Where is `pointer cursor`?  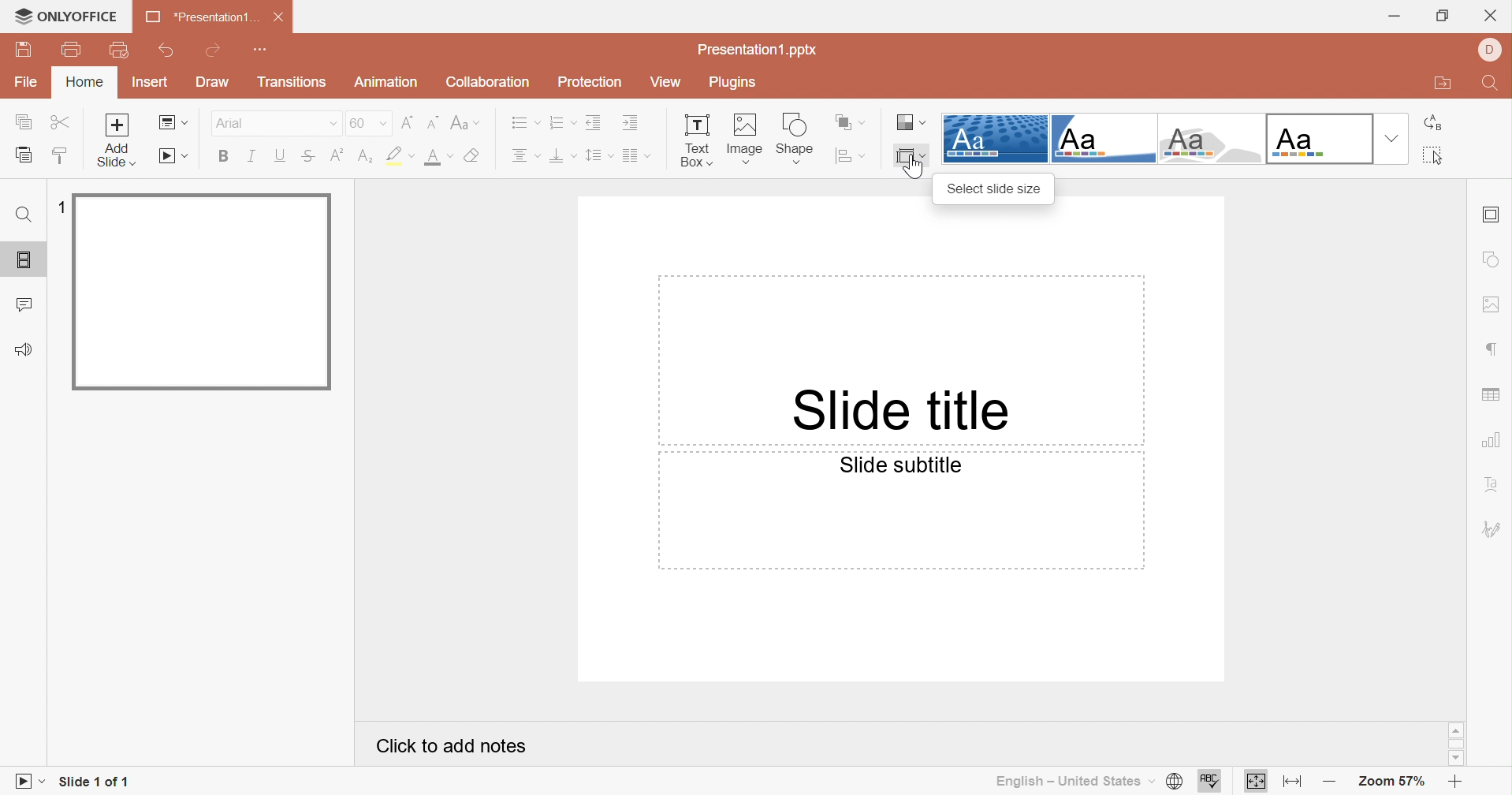 pointer cursor is located at coordinates (912, 170).